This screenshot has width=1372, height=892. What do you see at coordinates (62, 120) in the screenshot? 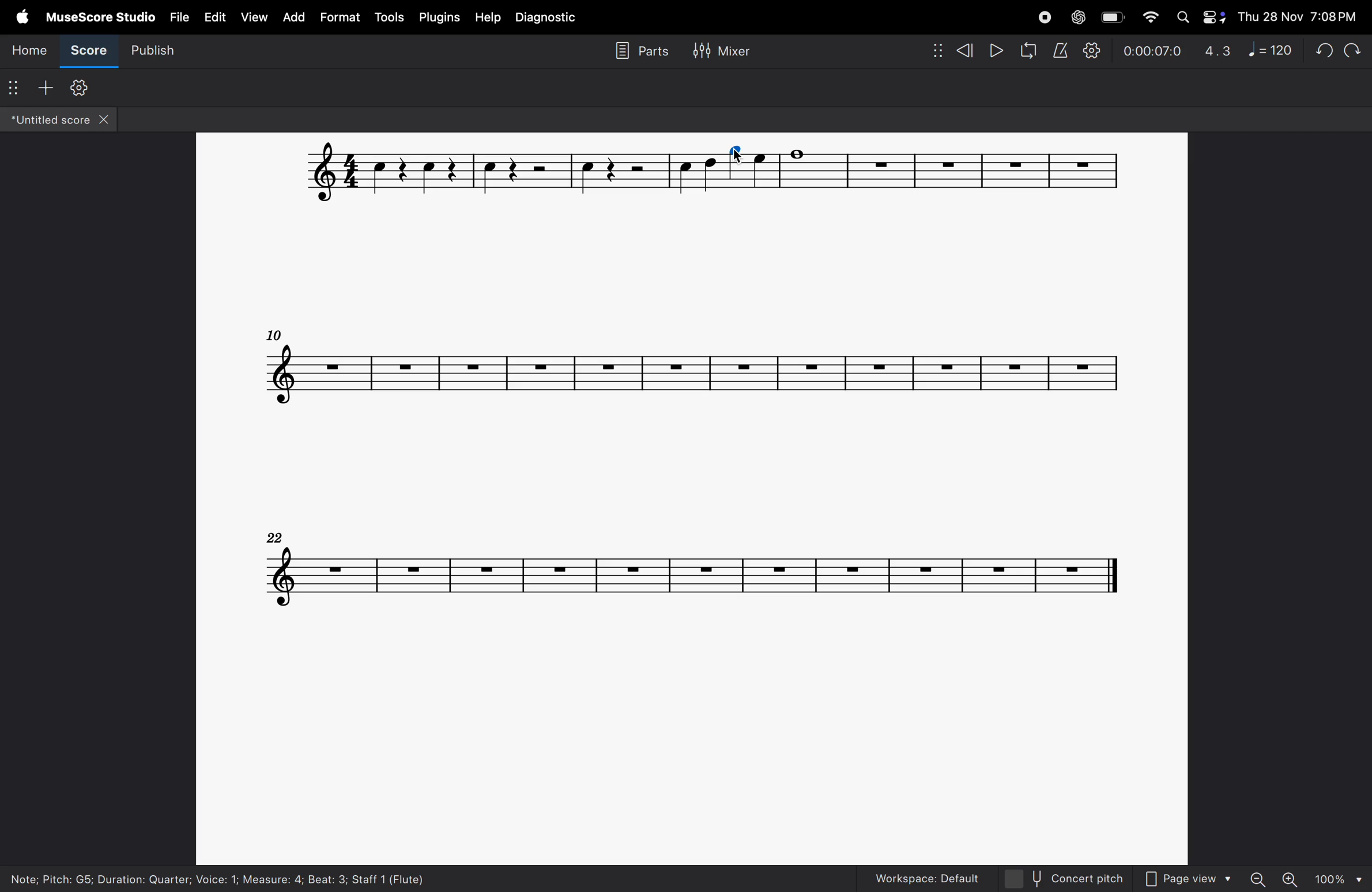
I see `untitled score` at bounding box center [62, 120].